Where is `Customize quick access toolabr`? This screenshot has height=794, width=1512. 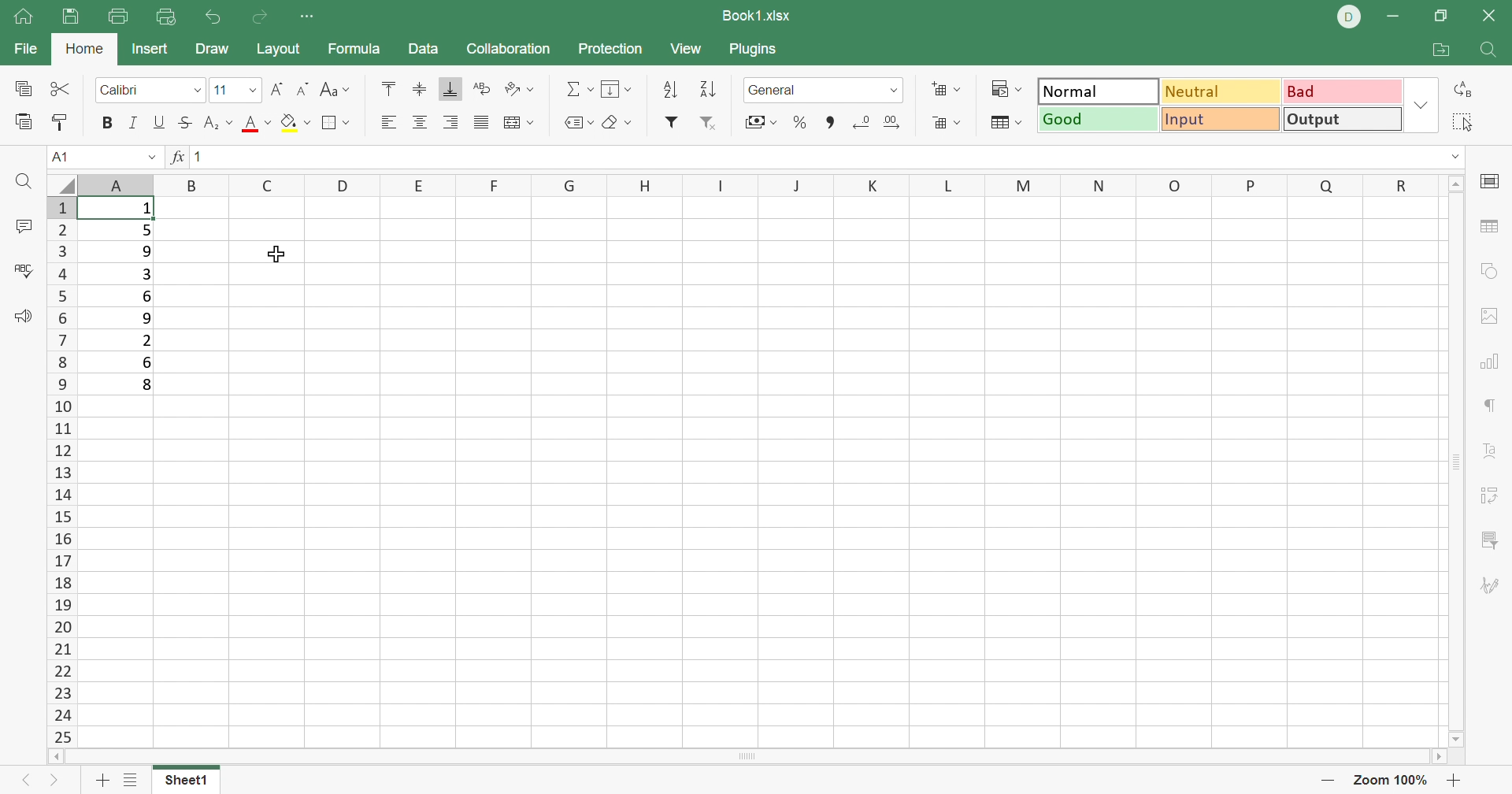
Customize quick access toolabr is located at coordinates (309, 17).